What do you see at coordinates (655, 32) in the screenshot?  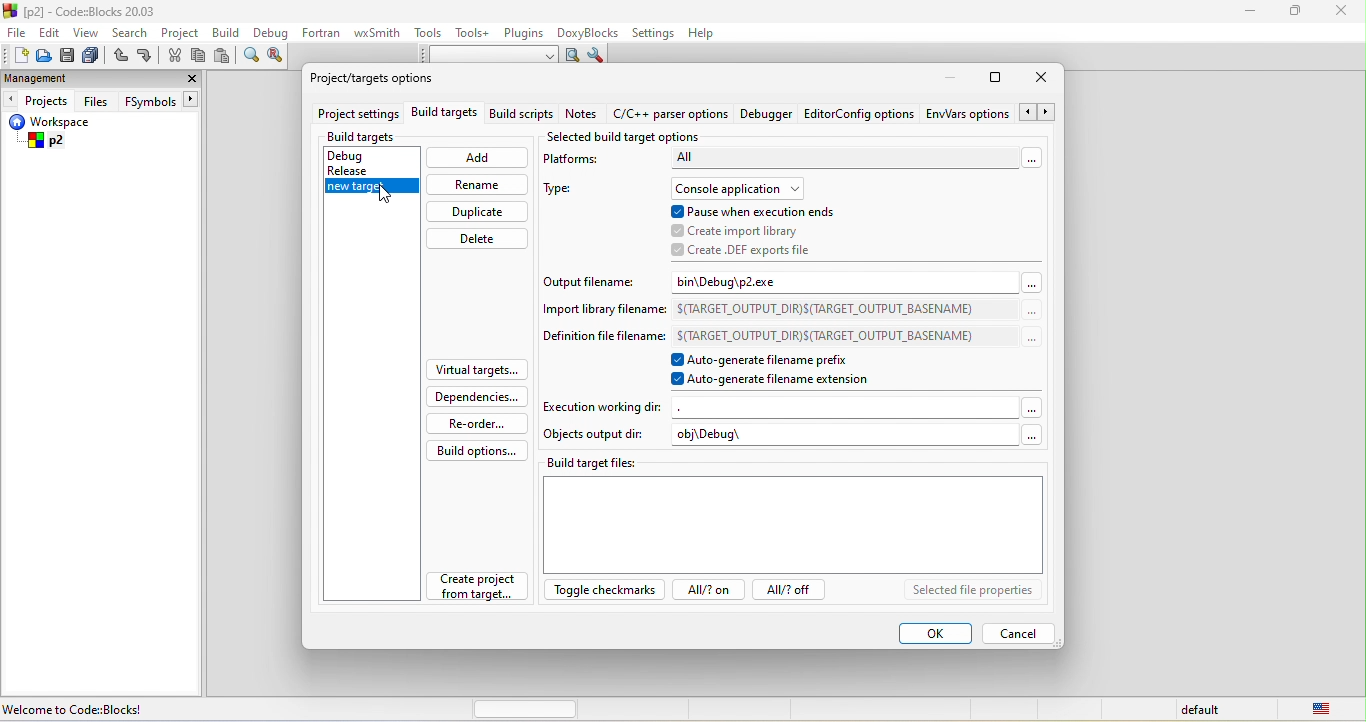 I see `settings` at bounding box center [655, 32].